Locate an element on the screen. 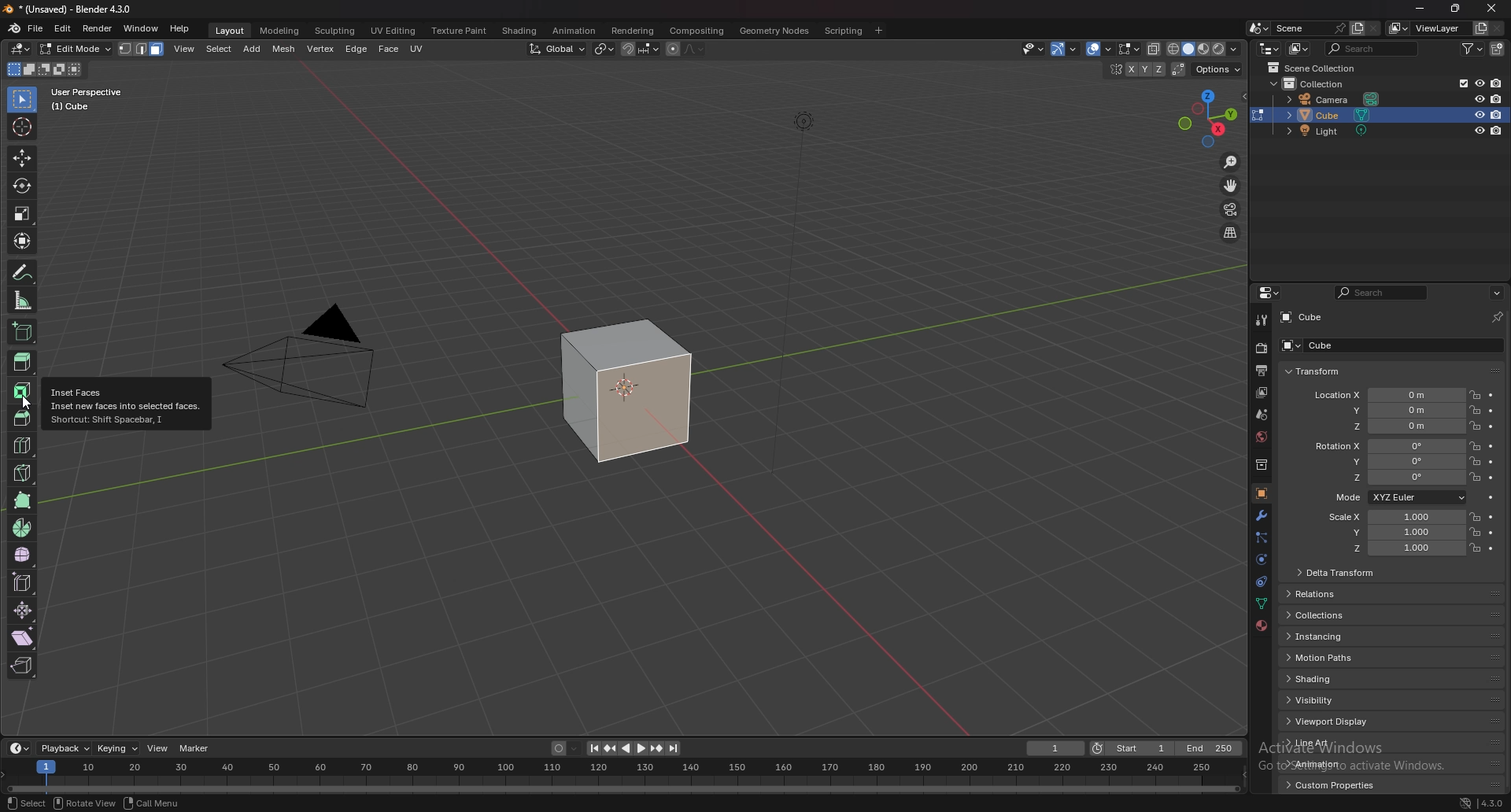 The width and height of the screenshot is (1511, 812). add view layer is located at coordinates (1480, 28).